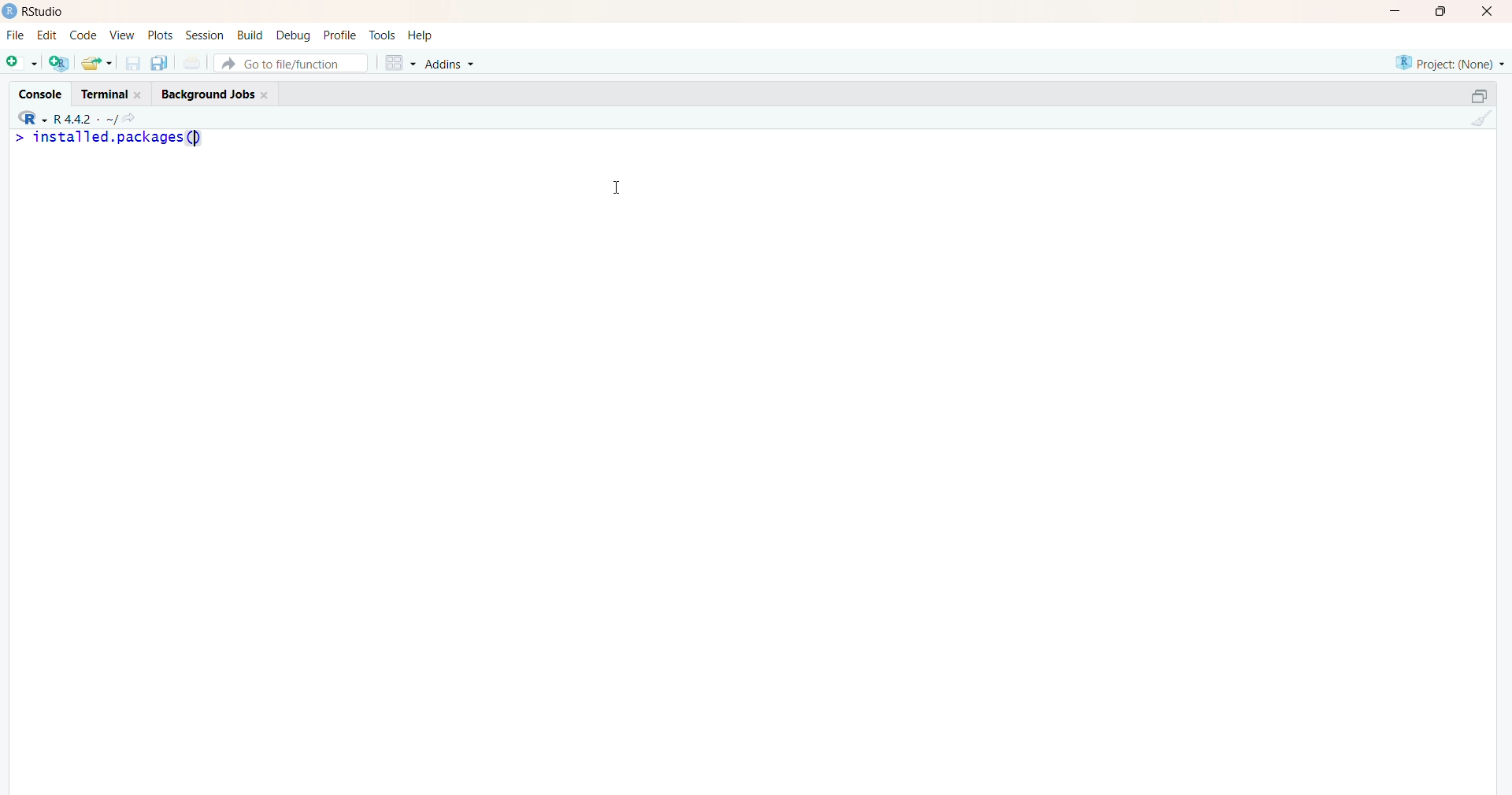 Image resolution: width=1512 pixels, height=795 pixels. What do you see at coordinates (215, 94) in the screenshot?
I see `background jobs` at bounding box center [215, 94].